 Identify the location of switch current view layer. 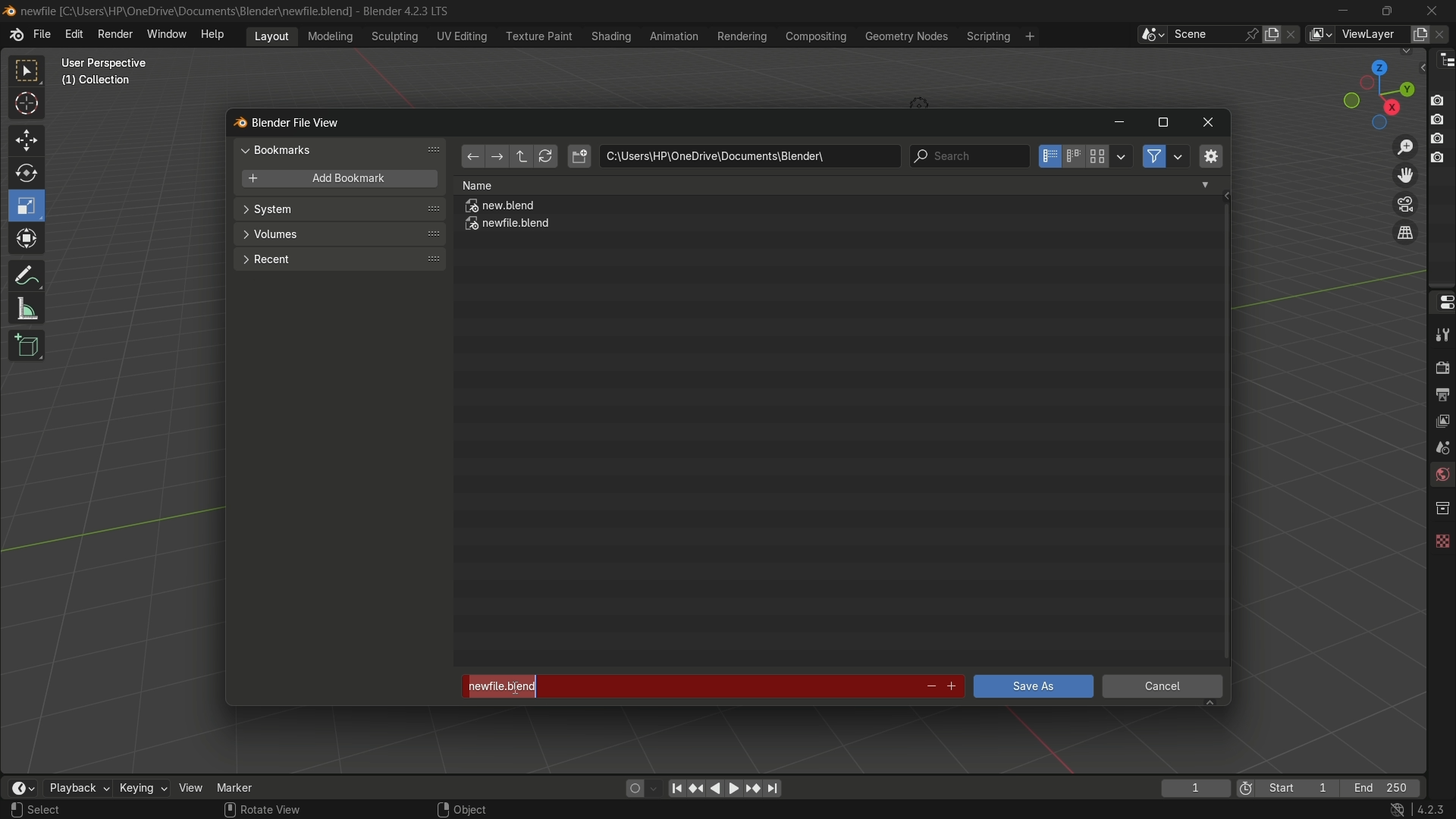
(1405, 234).